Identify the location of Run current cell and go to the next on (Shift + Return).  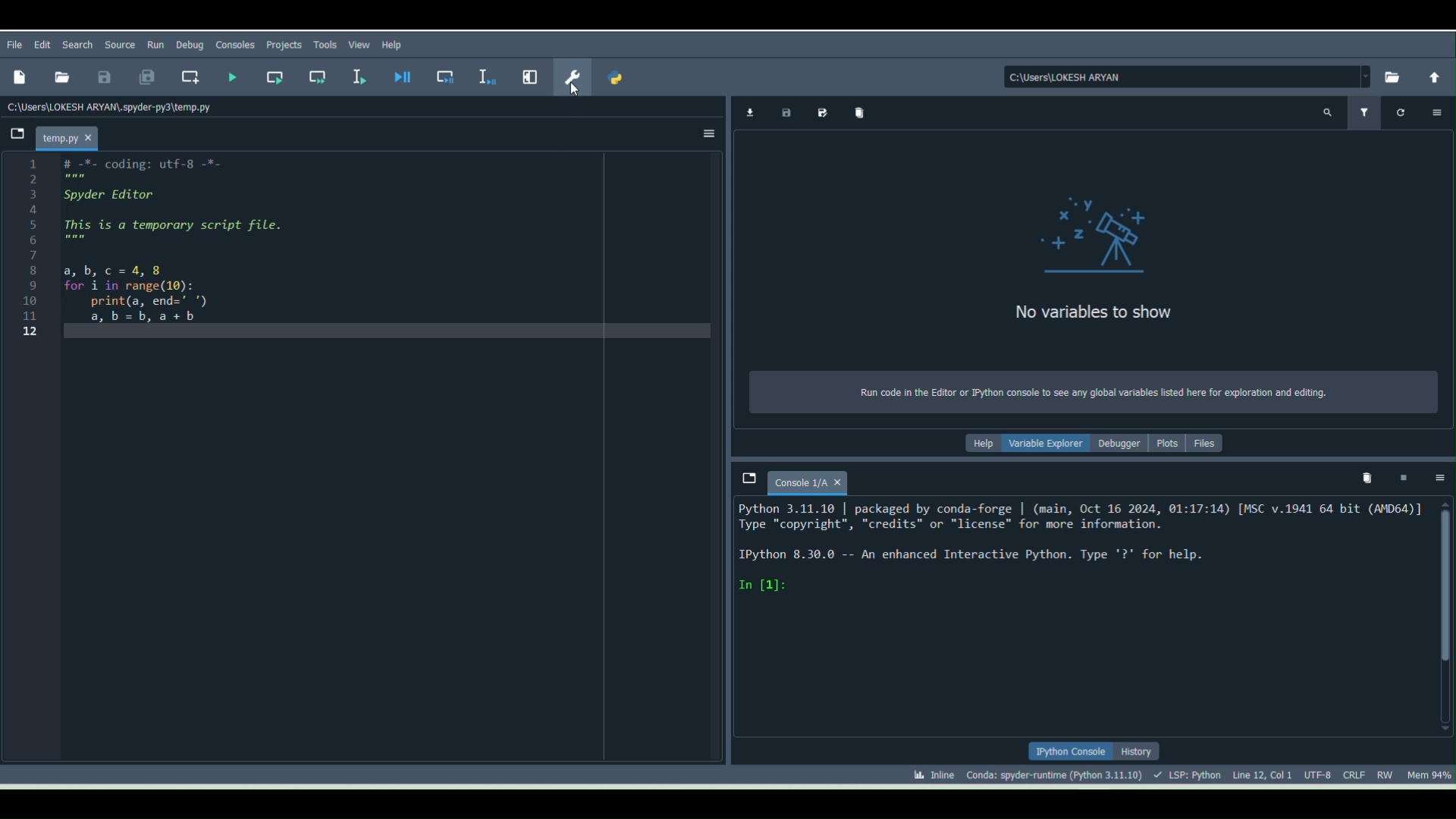
(318, 76).